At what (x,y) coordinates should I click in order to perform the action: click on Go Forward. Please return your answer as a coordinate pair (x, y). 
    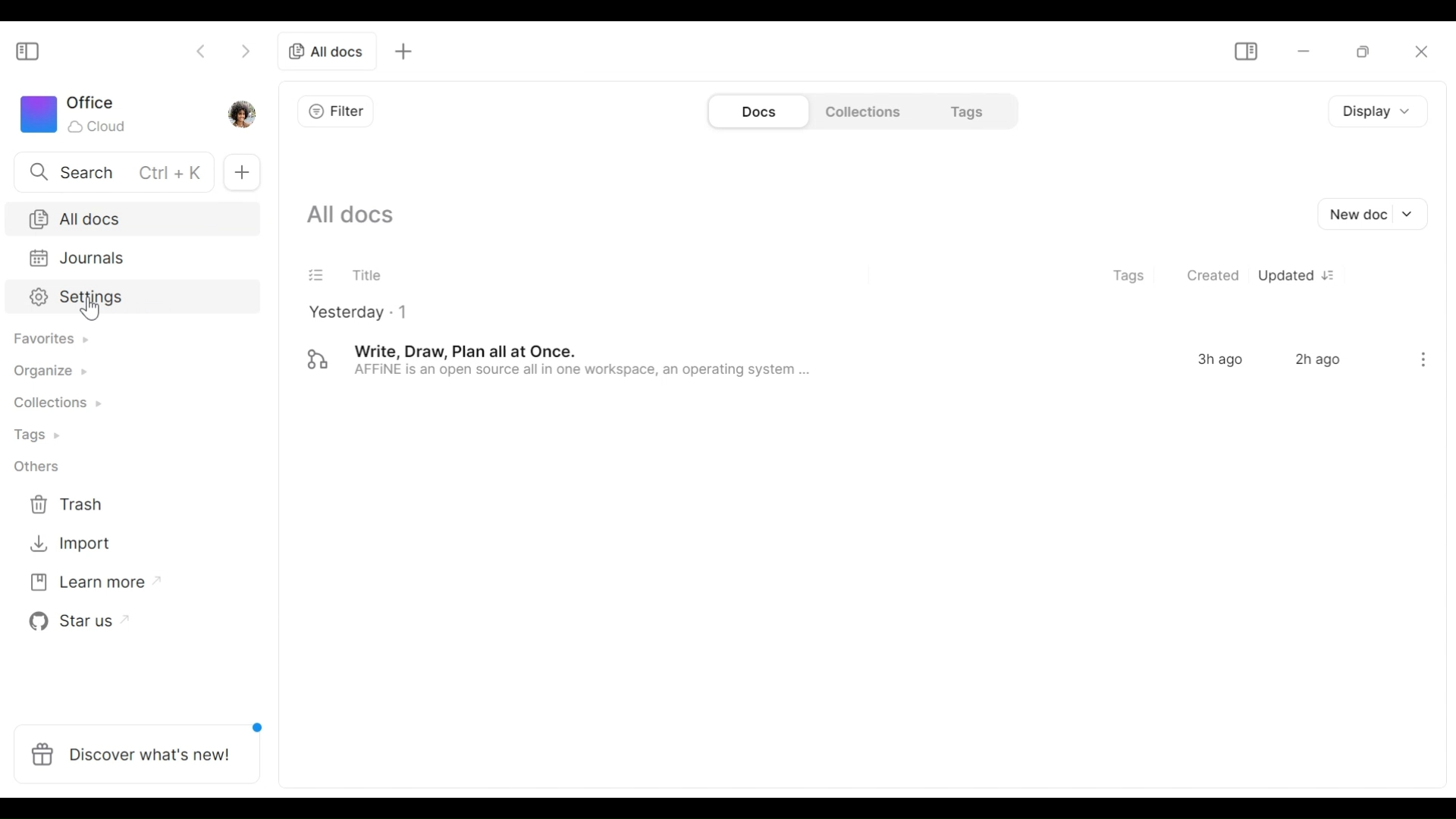
    Looking at the image, I should click on (246, 49).